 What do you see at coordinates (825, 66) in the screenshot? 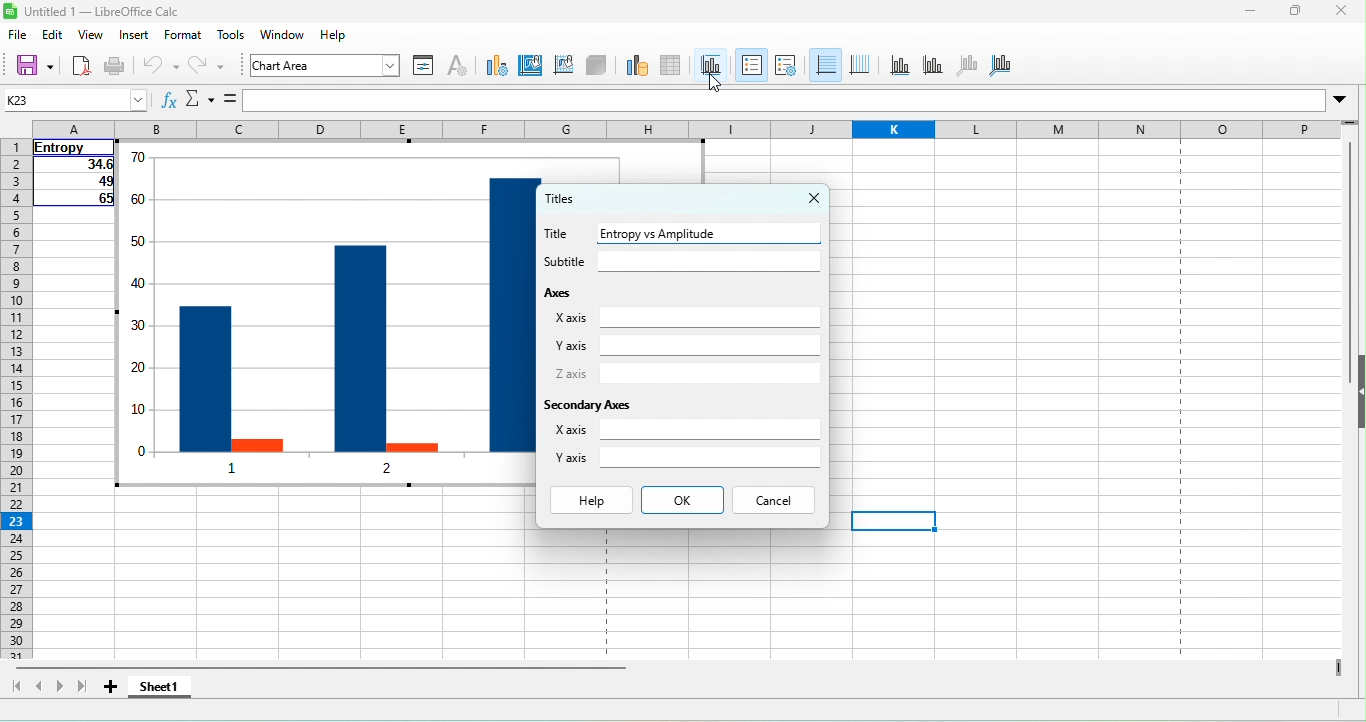
I see `horizontal gids` at bounding box center [825, 66].